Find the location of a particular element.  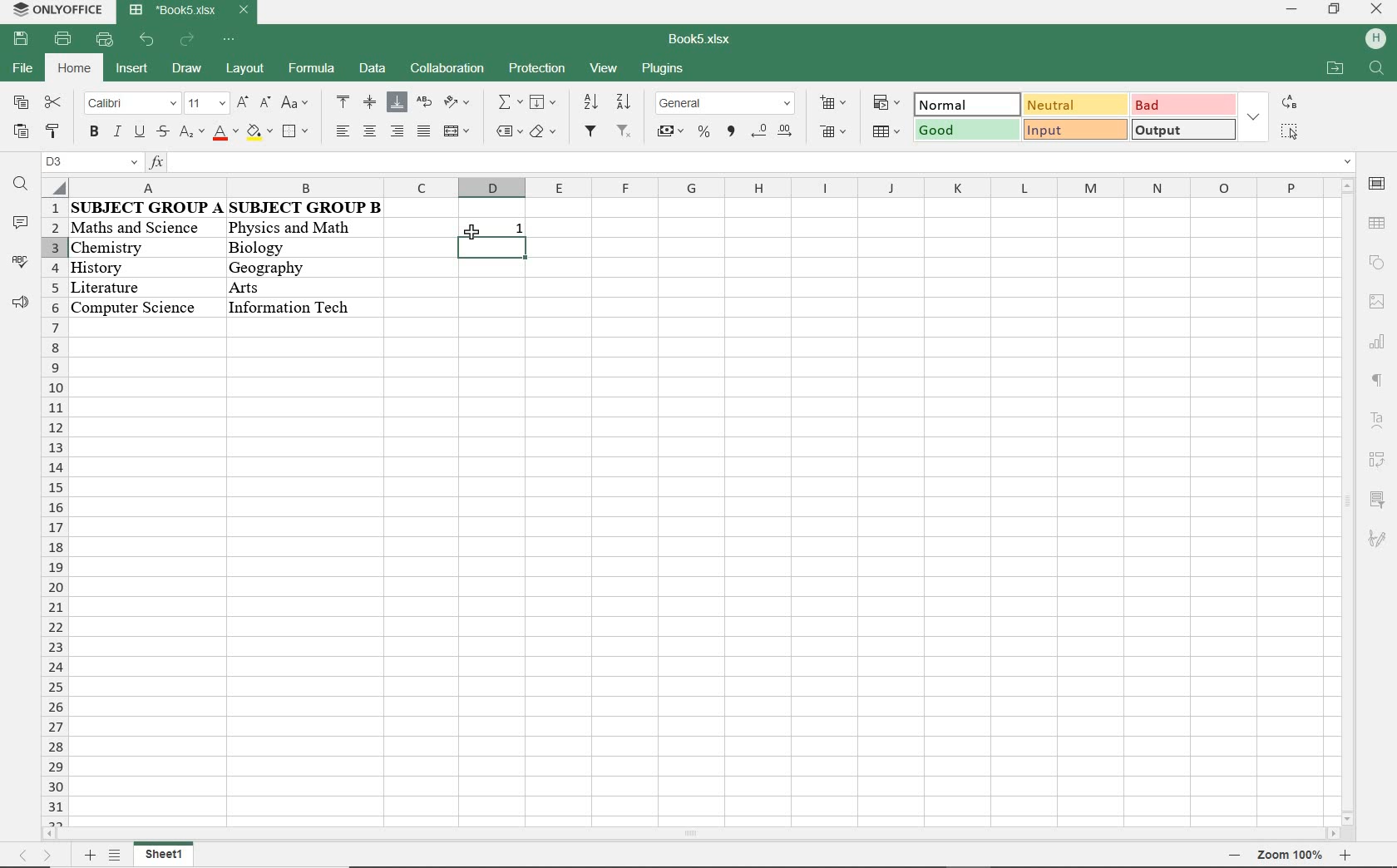

previous is located at coordinates (17, 858).